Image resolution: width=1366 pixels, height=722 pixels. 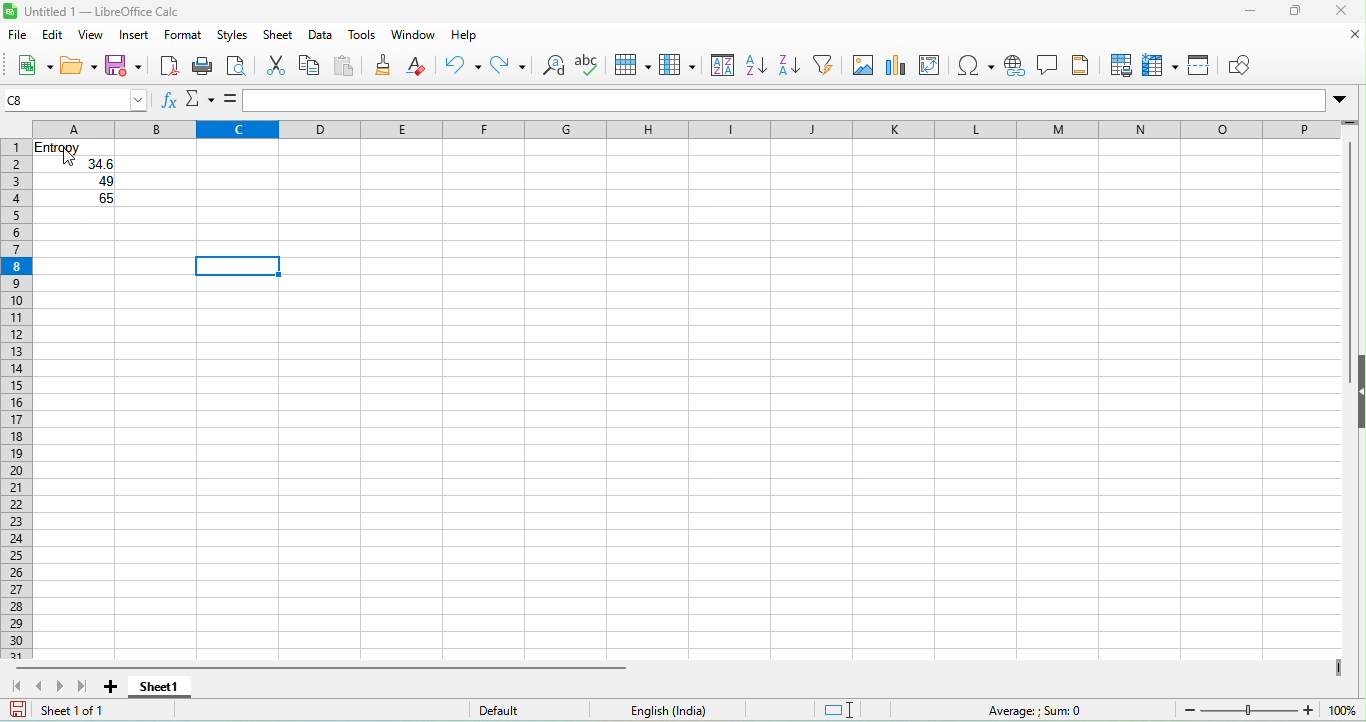 What do you see at coordinates (867, 66) in the screenshot?
I see `image` at bounding box center [867, 66].